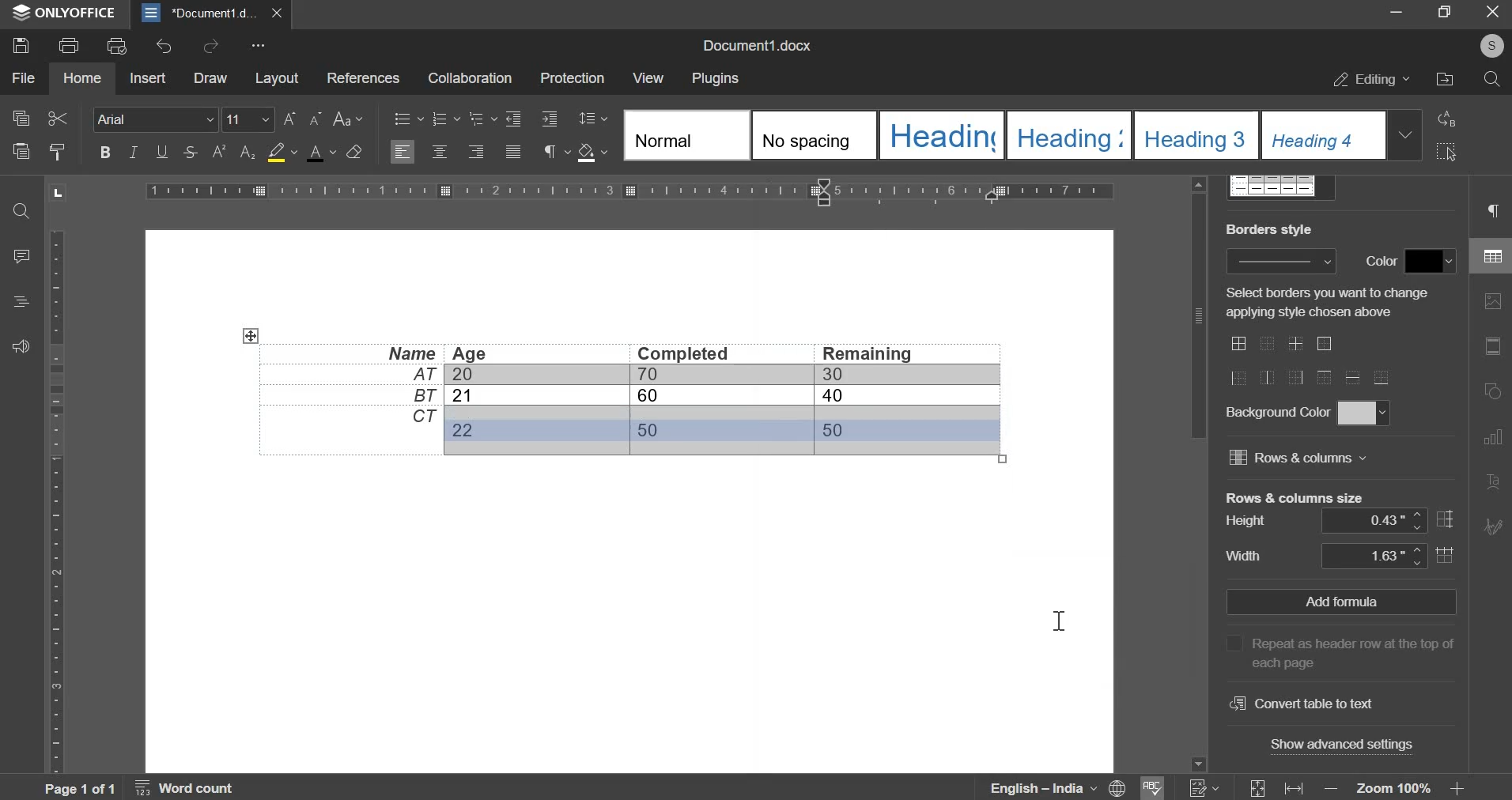 This screenshot has width=1512, height=800. What do you see at coordinates (514, 153) in the screenshot?
I see `justified` at bounding box center [514, 153].